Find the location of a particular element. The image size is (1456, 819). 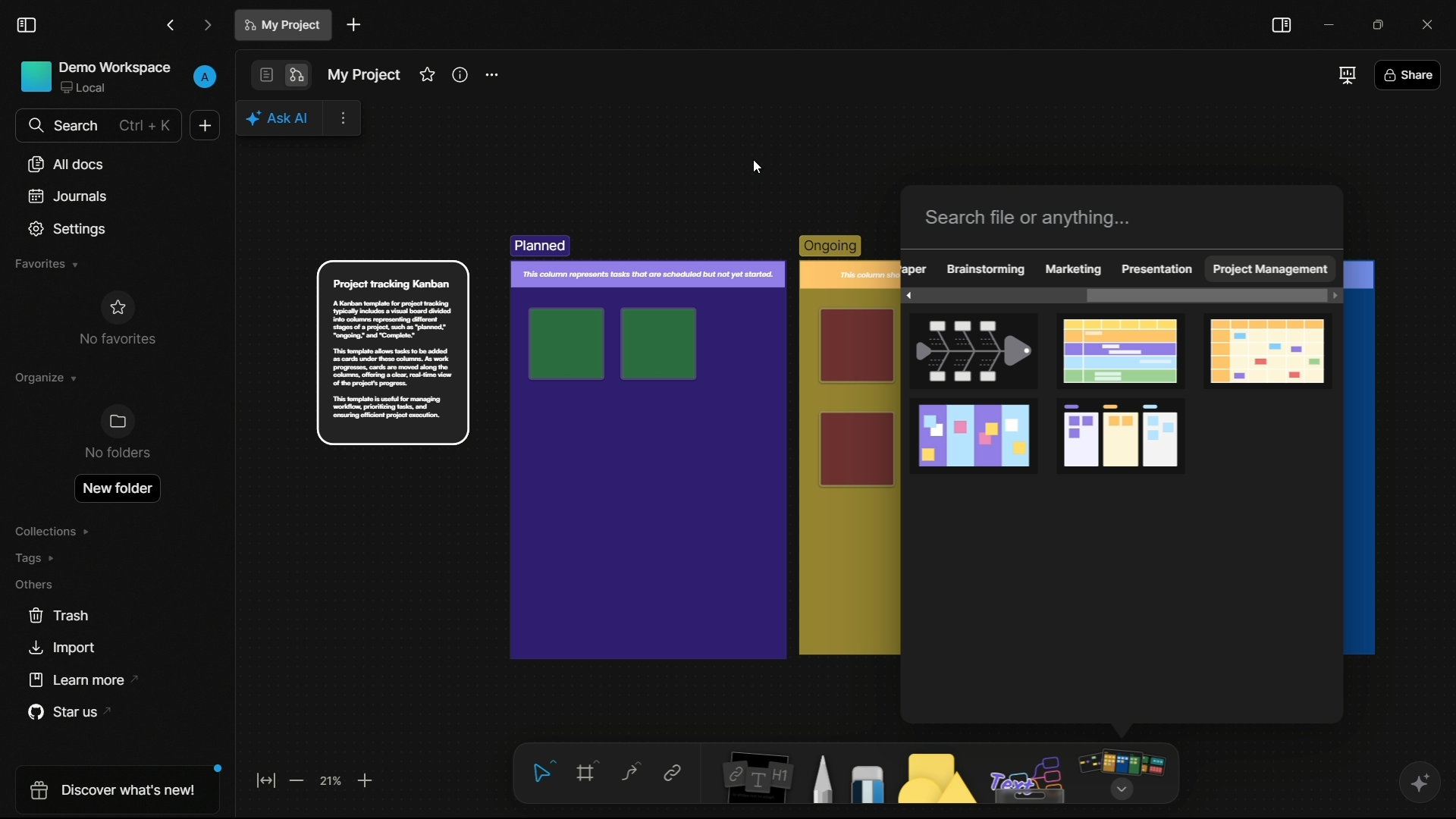

fishbone template is located at coordinates (971, 353).